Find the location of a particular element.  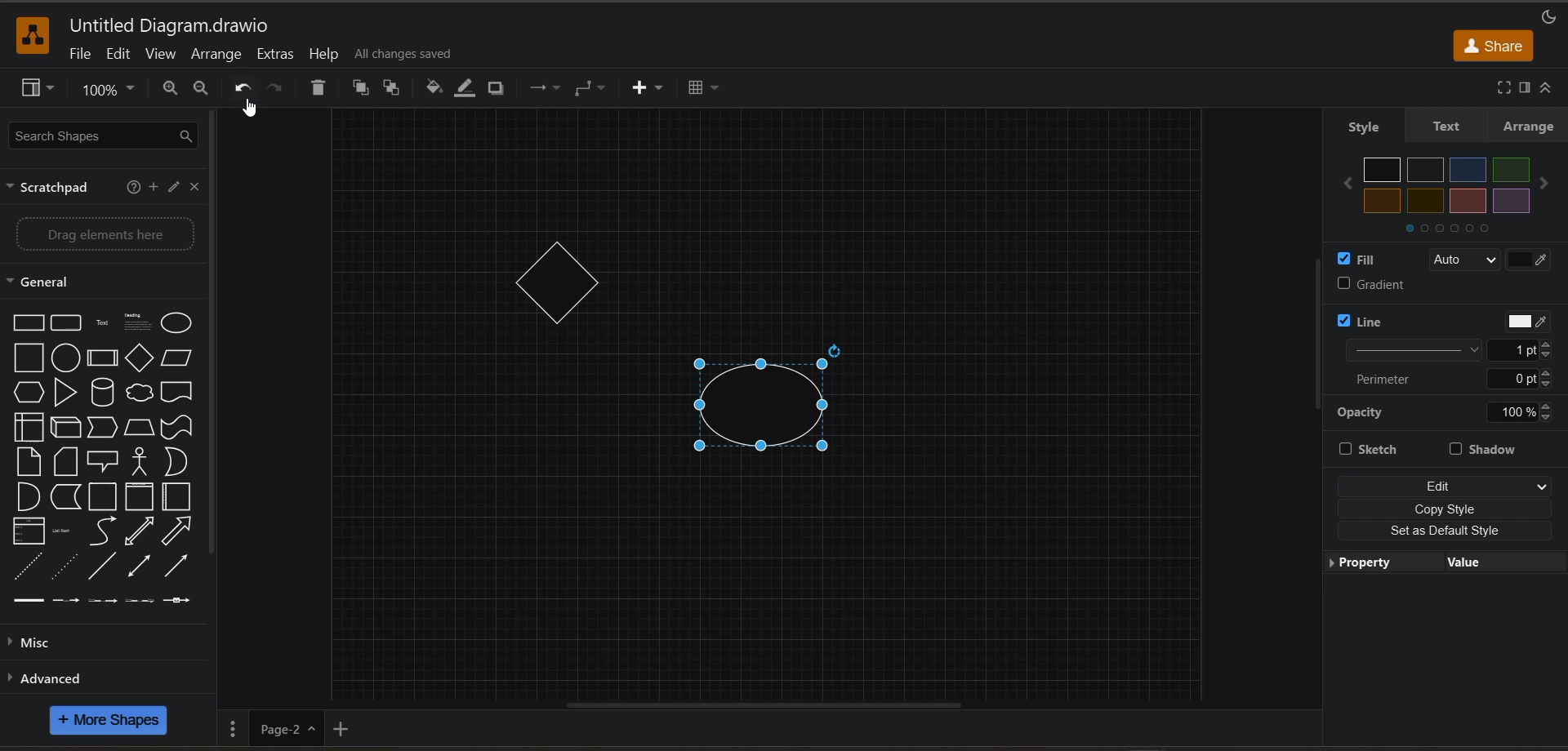

Arrow is located at coordinates (178, 533).